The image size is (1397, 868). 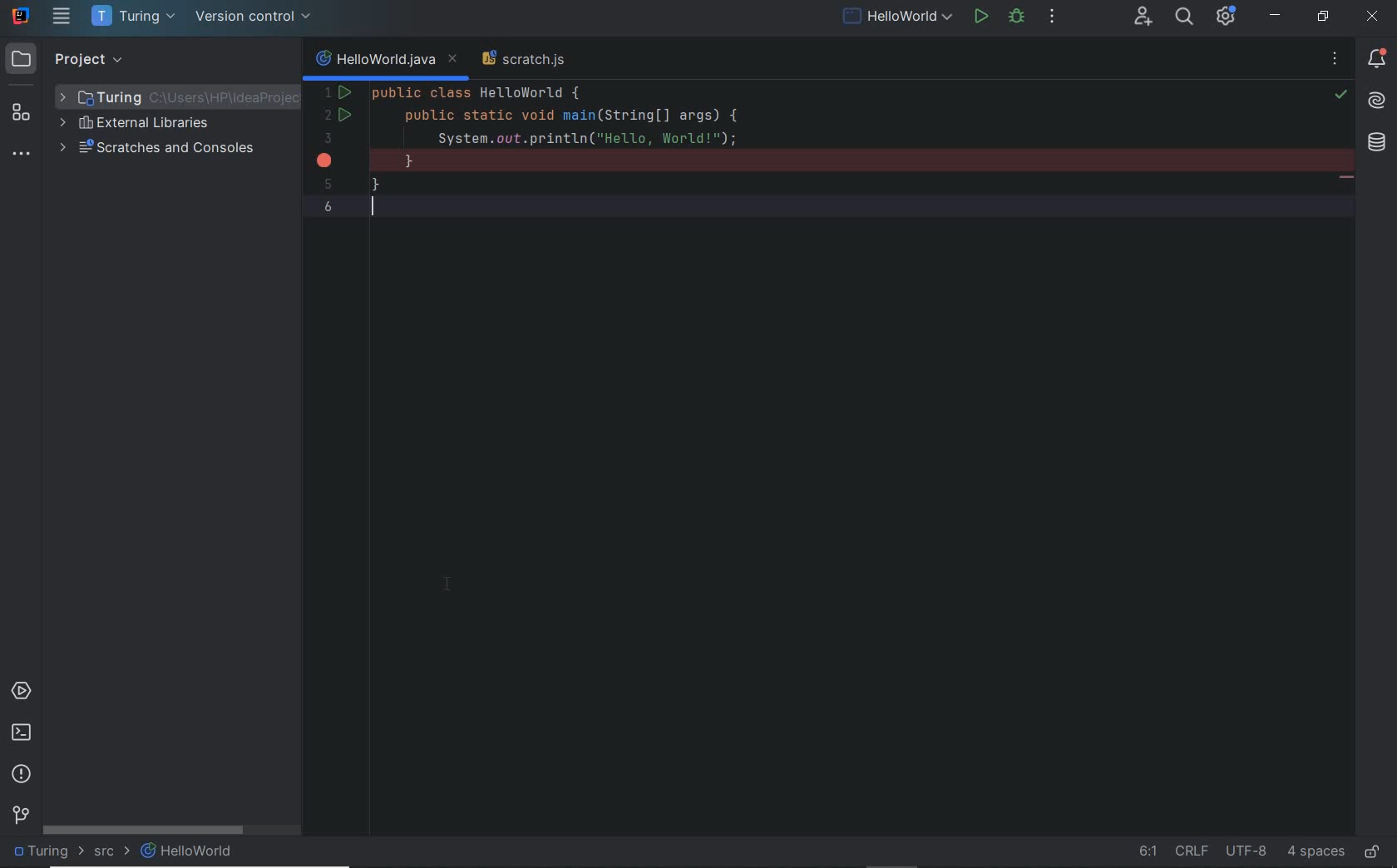 What do you see at coordinates (114, 851) in the screenshot?
I see `SRC` at bounding box center [114, 851].